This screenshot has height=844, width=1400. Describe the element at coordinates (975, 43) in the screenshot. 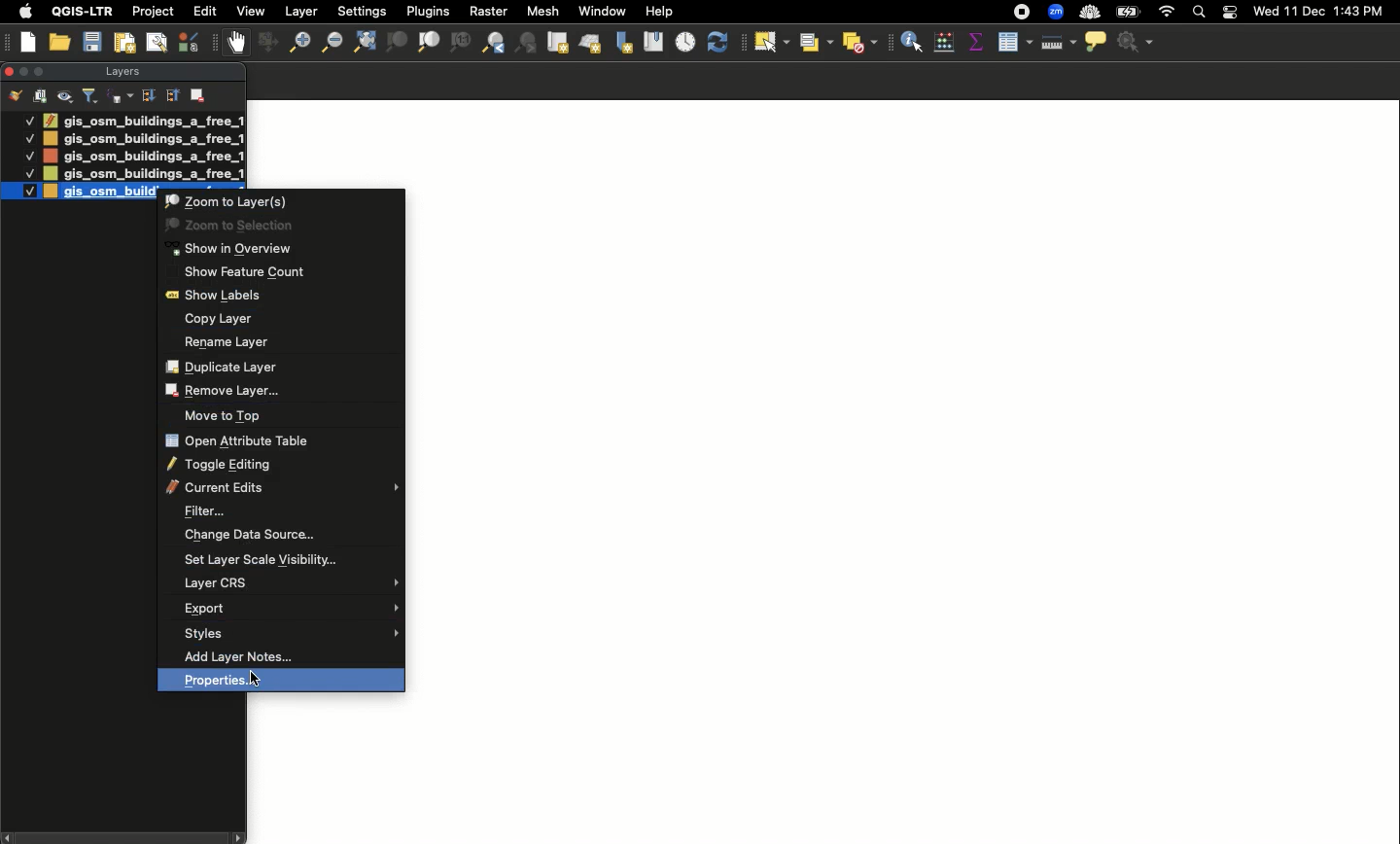

I see `Show statistical summary` at that location.